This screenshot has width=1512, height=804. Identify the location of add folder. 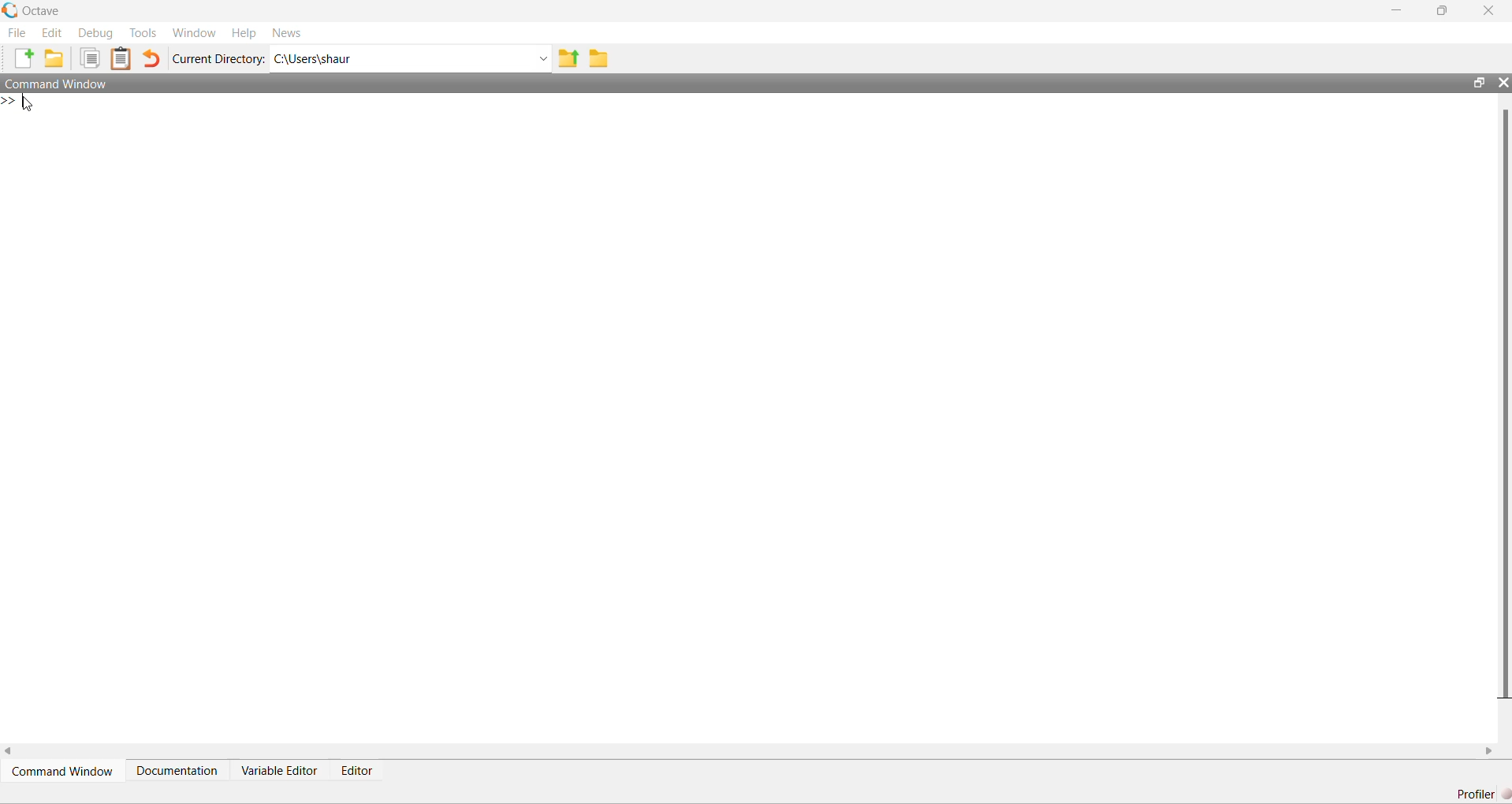
(54, 58).